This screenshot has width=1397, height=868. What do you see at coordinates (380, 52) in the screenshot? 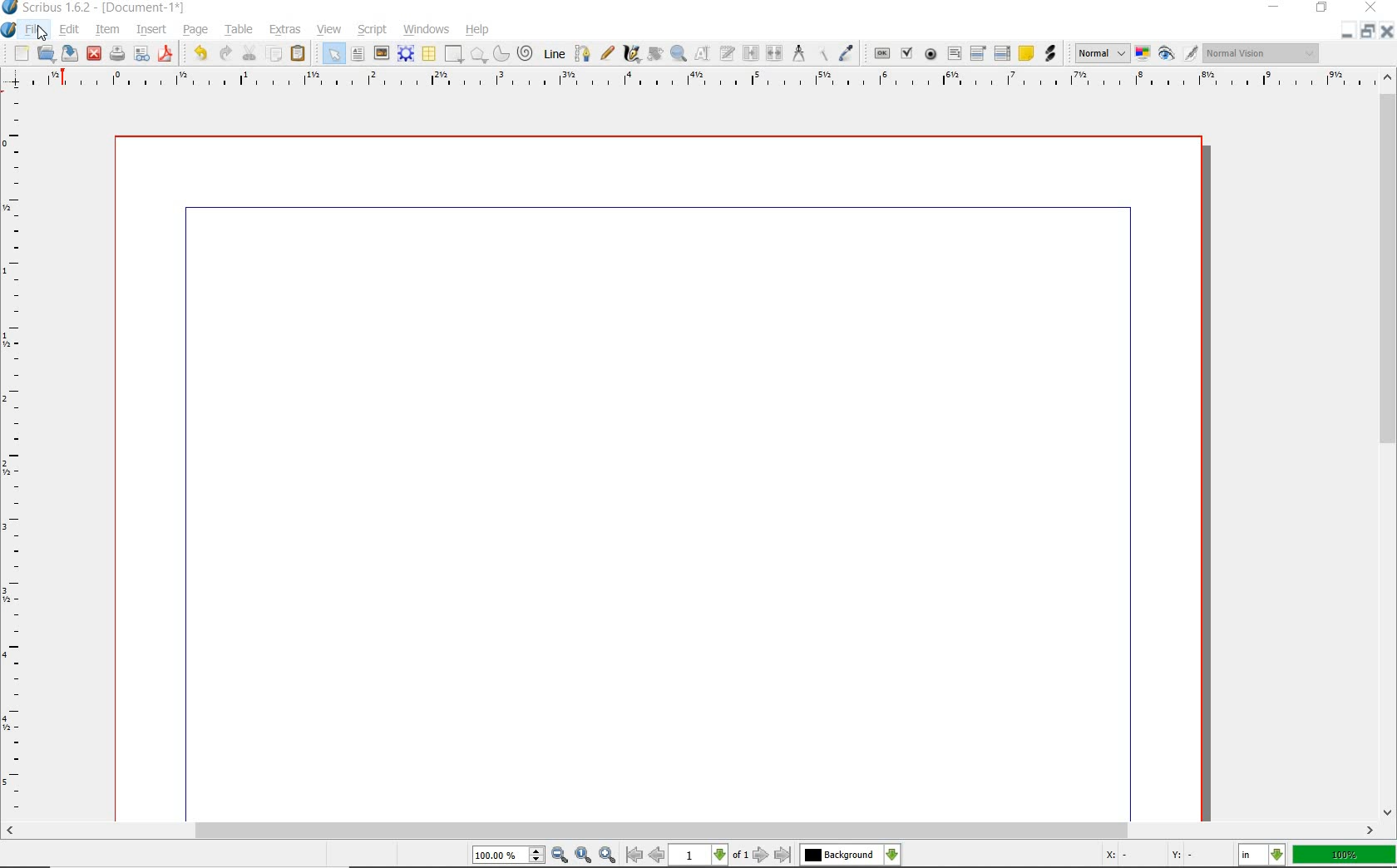
I see `image frame` at bounding box center [380, 52].